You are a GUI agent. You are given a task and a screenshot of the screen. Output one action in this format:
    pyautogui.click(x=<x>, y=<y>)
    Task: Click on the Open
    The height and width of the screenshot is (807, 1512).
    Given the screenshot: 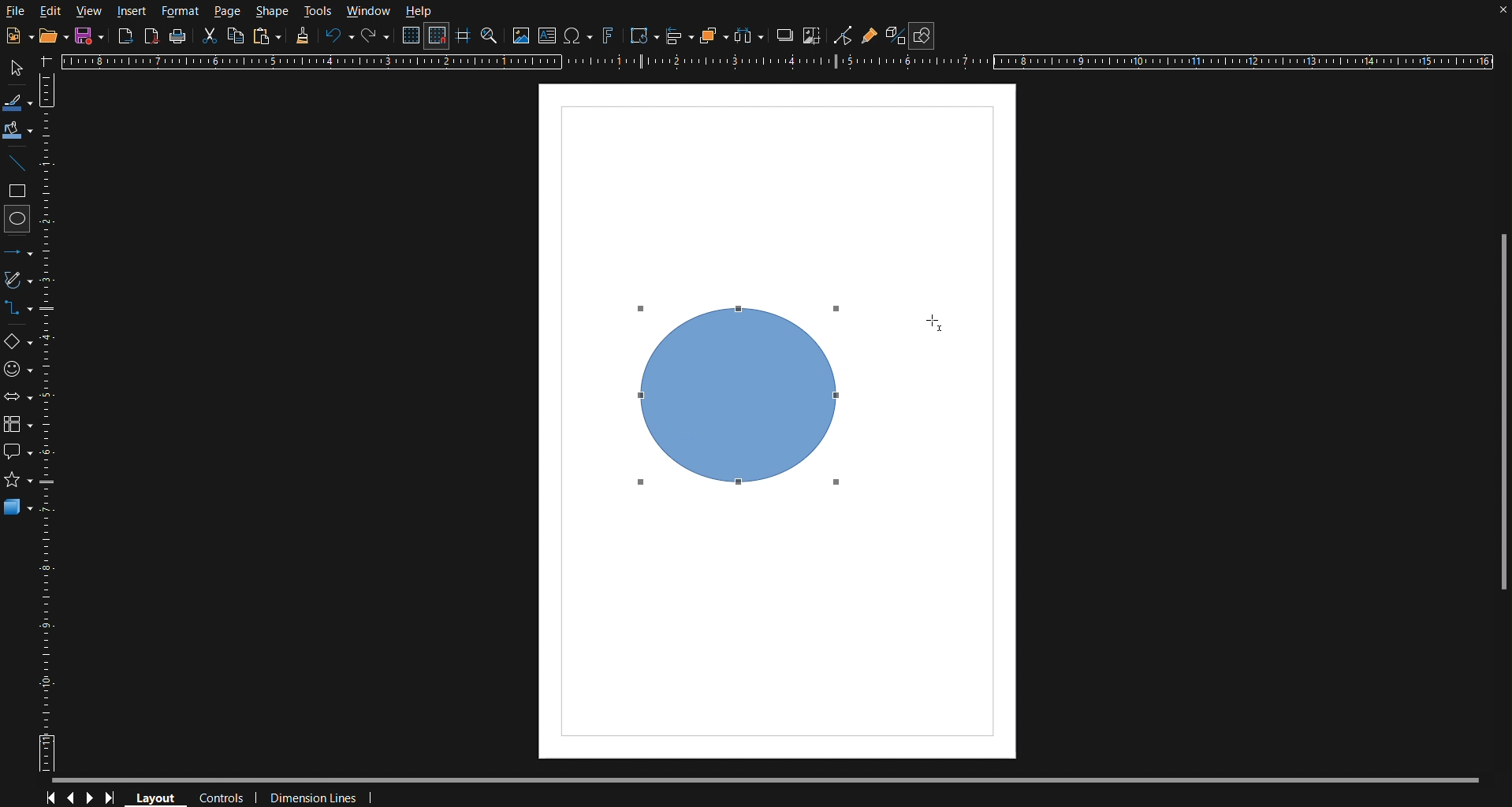 What is the action you would take?
    pyautogui.click(x=49, y=35)
    